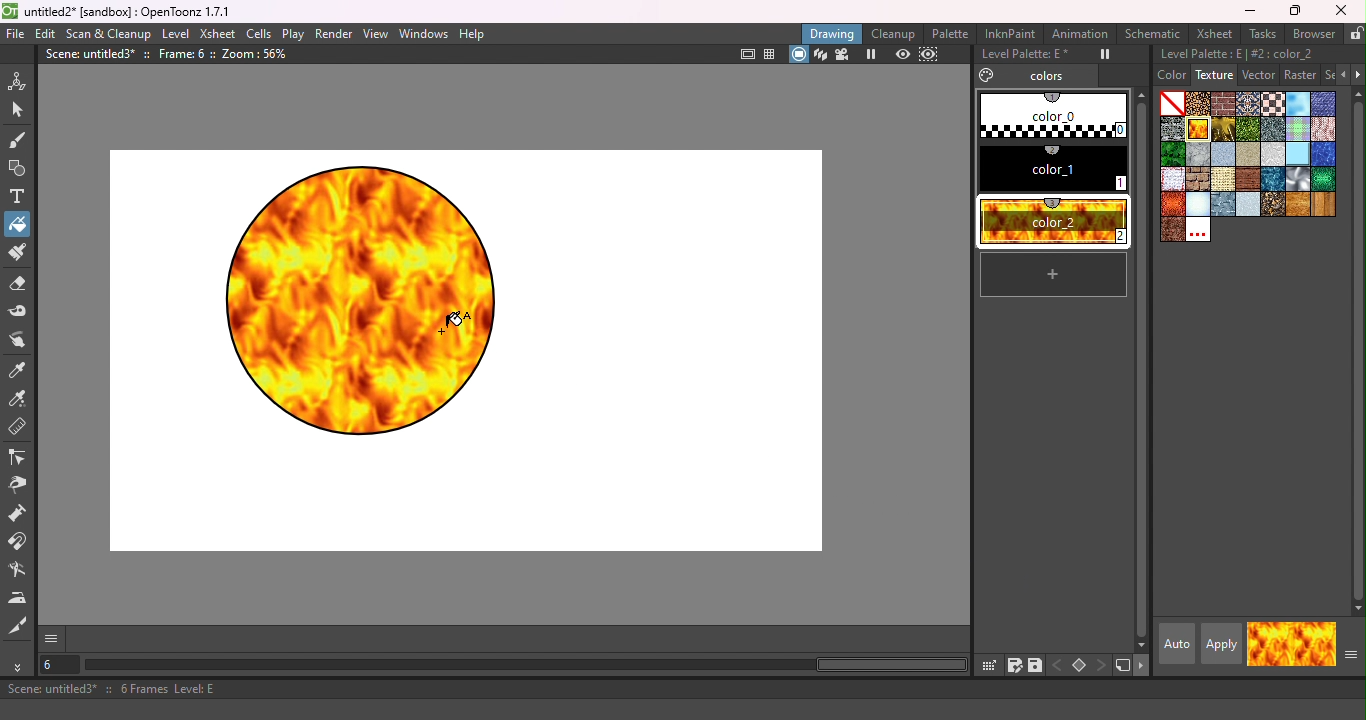 The image size is (1366, 720). I want to click on Play, so click(294, 33).